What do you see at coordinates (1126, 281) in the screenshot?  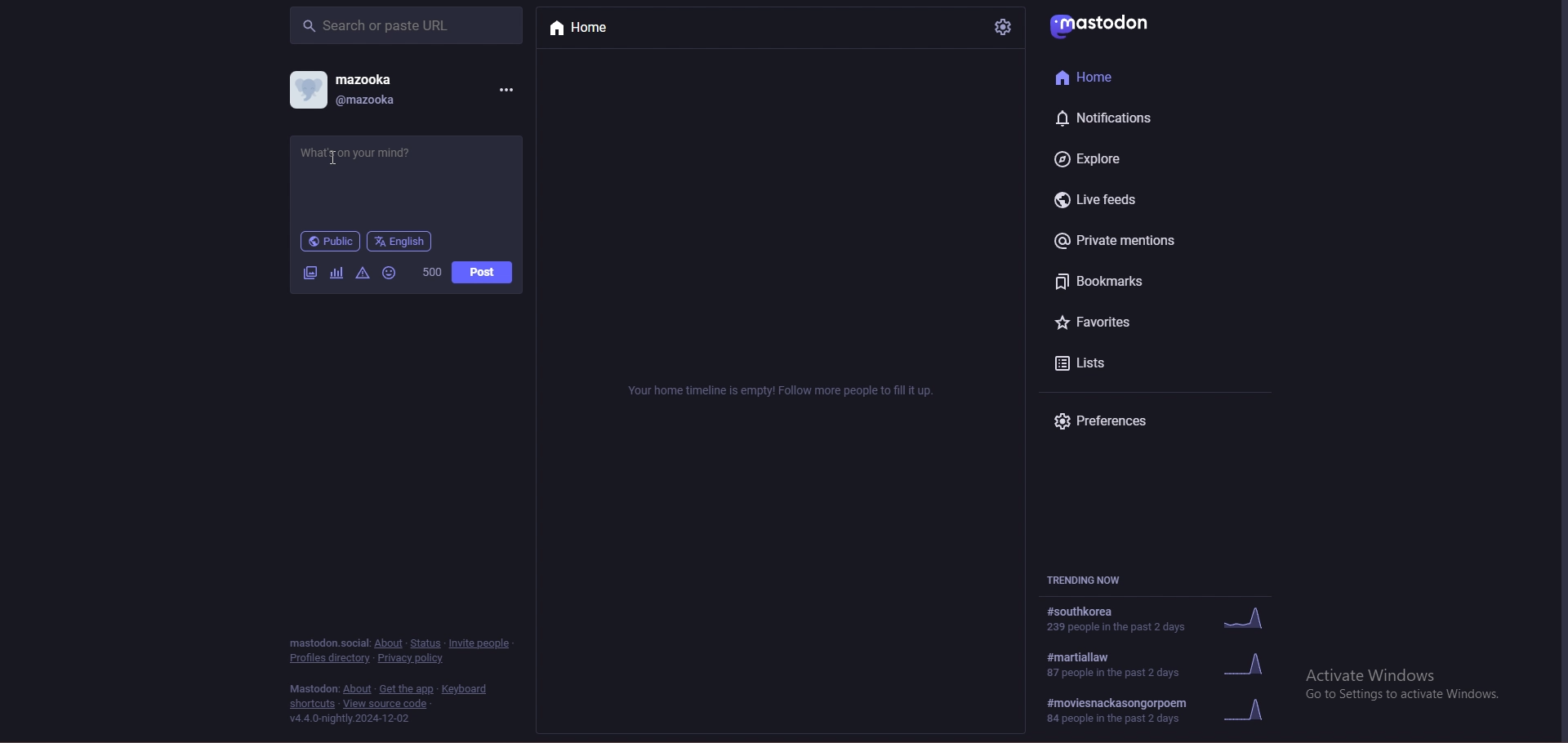 I see `bookmarks` at bounding box center [1126, 281].